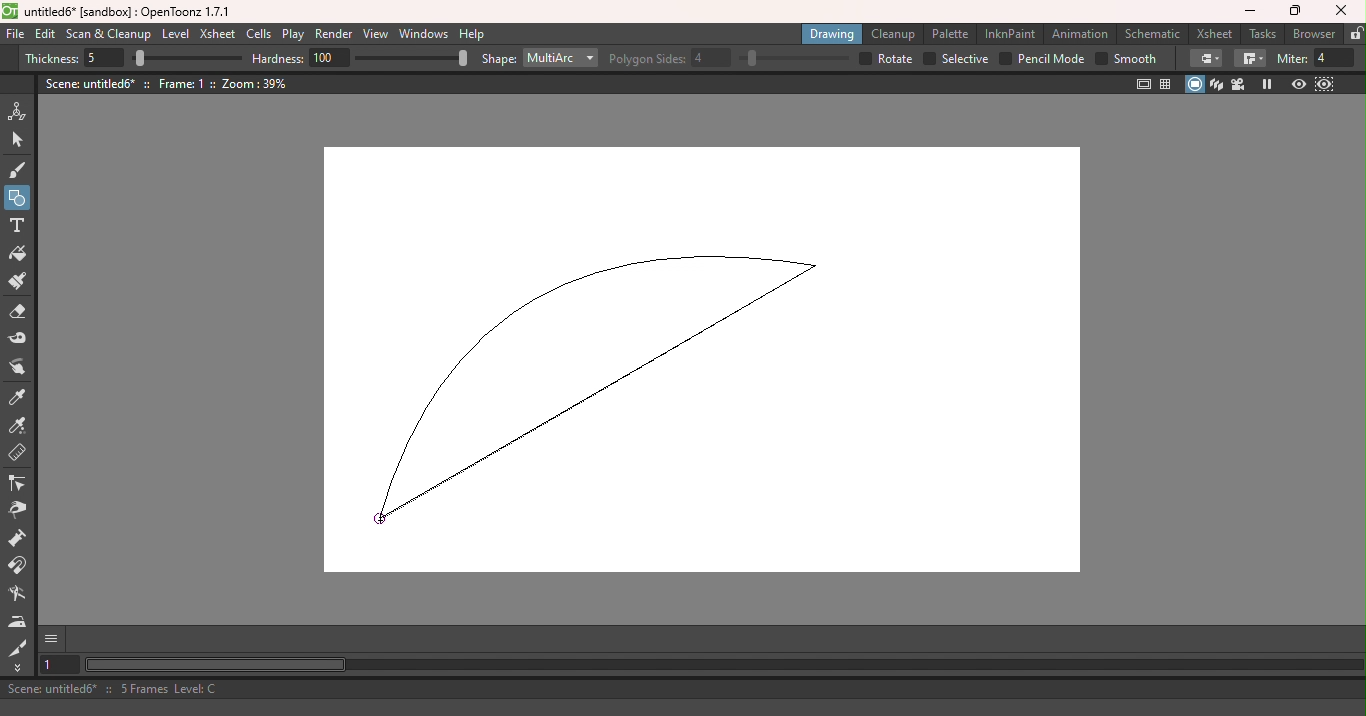 The image size is (1366, 716). I want to click on Browser, so click(1314, 33).